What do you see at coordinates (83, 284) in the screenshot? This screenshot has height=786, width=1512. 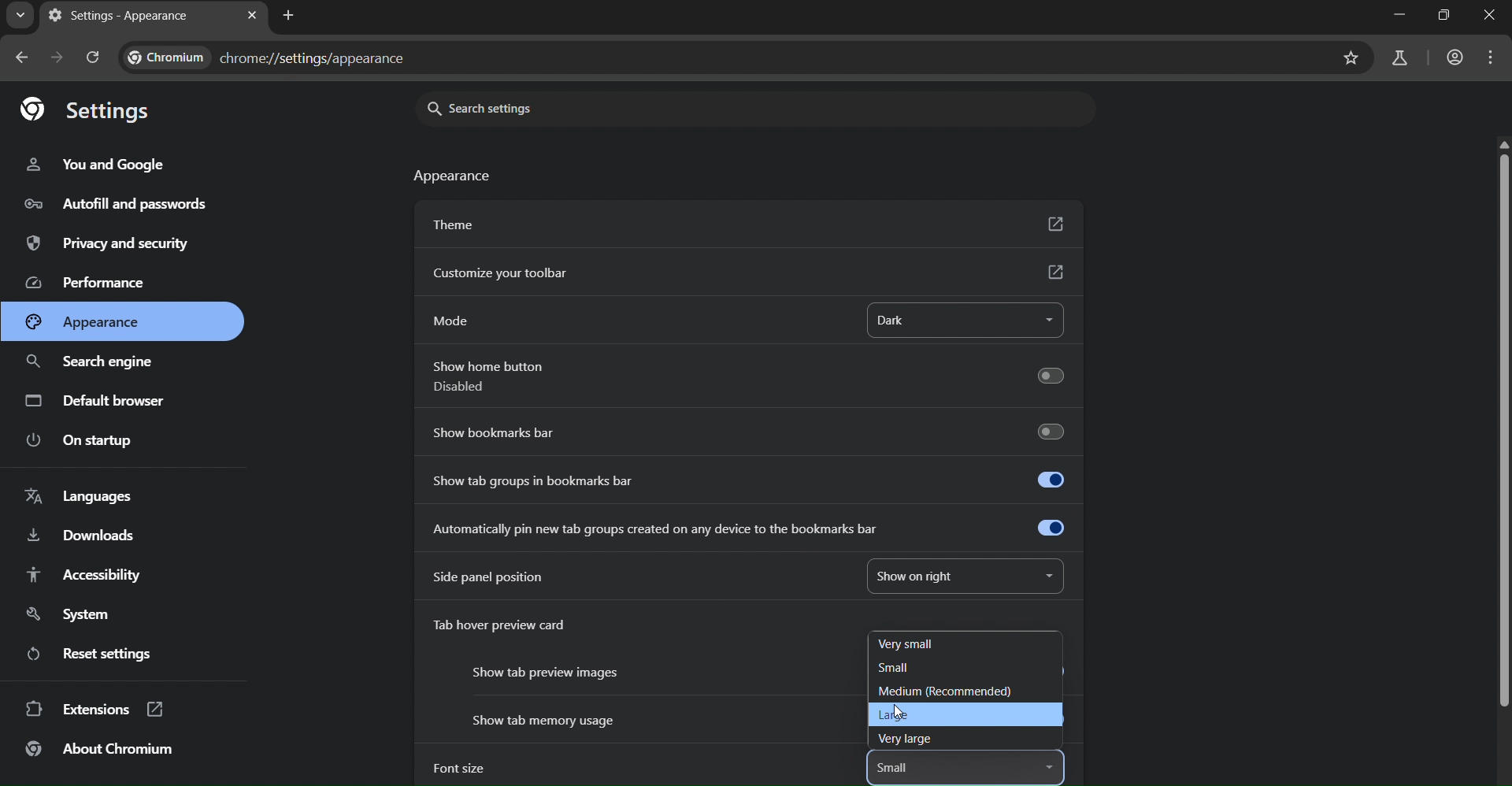 I see `performance` at bounding box center [83, 284].